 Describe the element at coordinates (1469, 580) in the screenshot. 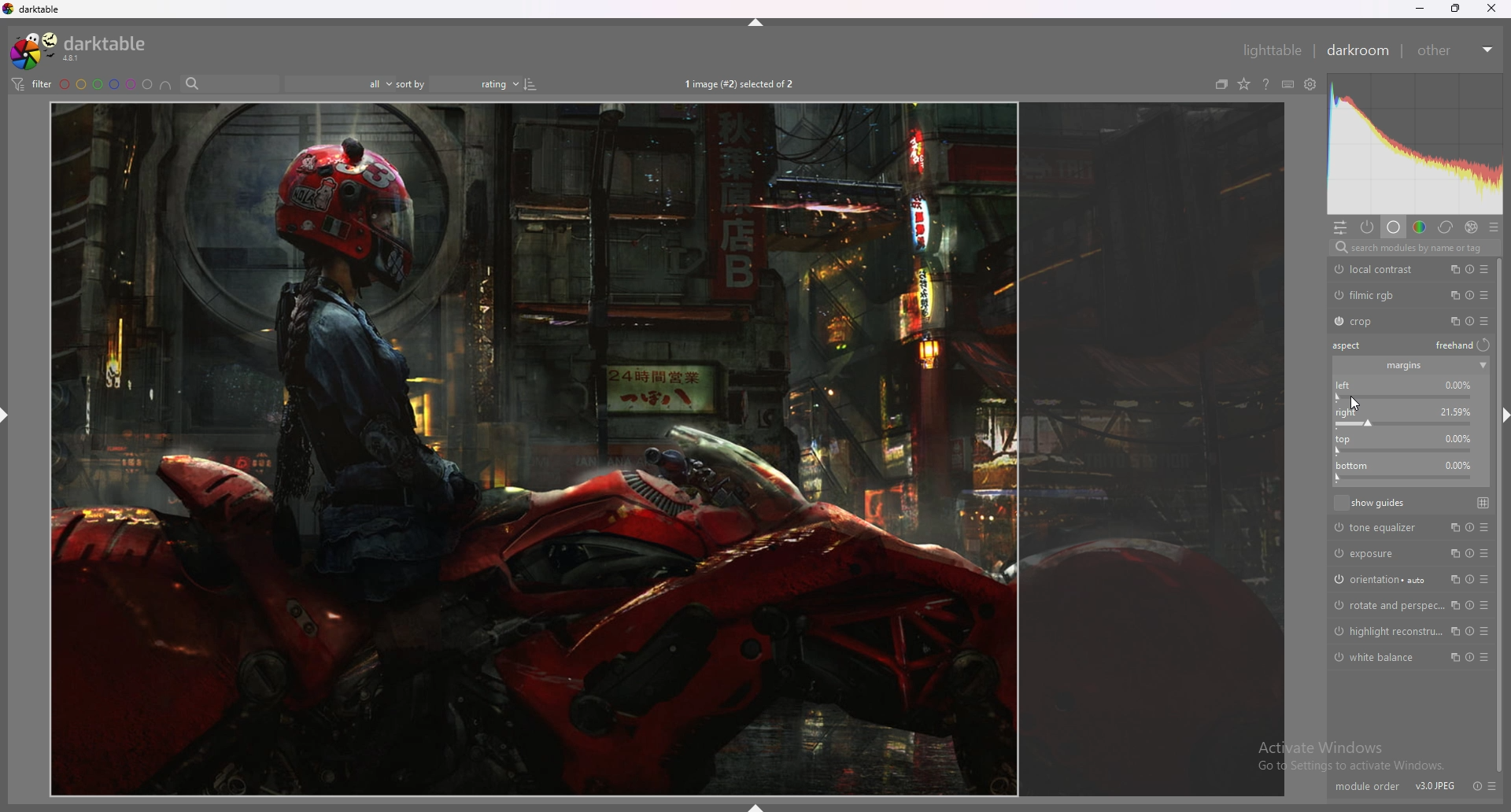

I see `reset` at that location.